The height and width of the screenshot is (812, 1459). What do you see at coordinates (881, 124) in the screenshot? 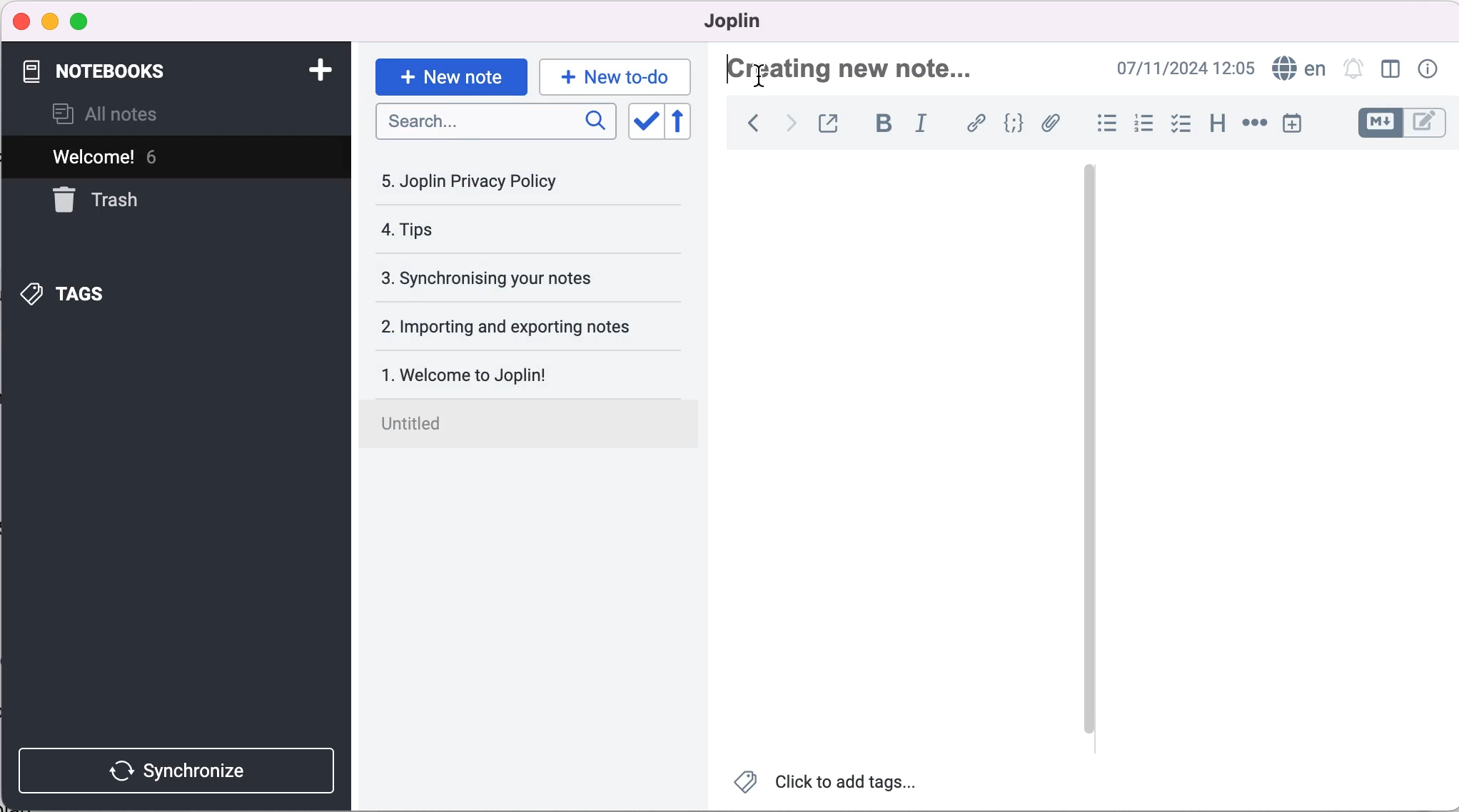
I see `bold` at bounding box center [881, 124].